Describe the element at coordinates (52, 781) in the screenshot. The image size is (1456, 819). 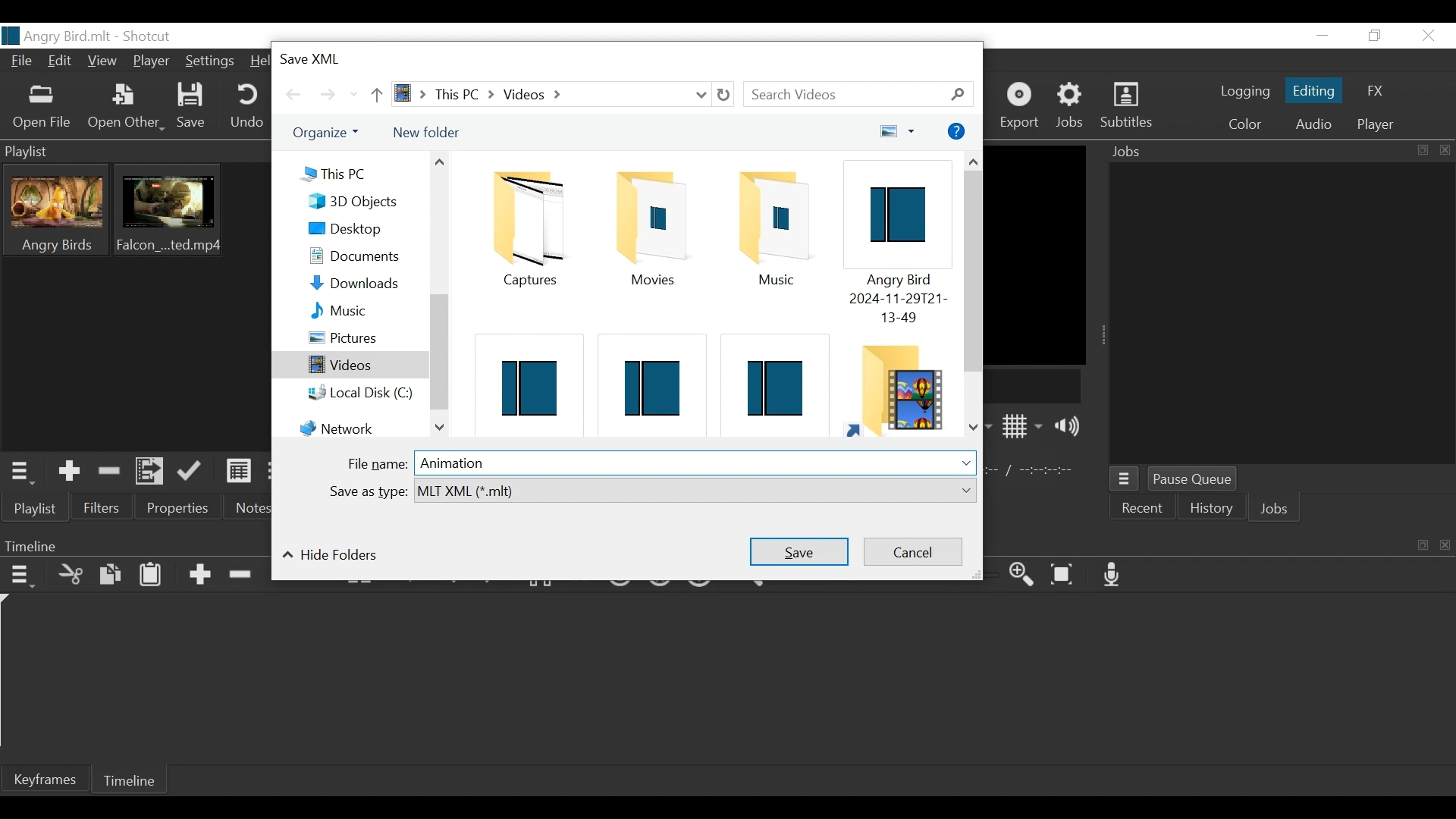
I see `Keyframe` at that location.